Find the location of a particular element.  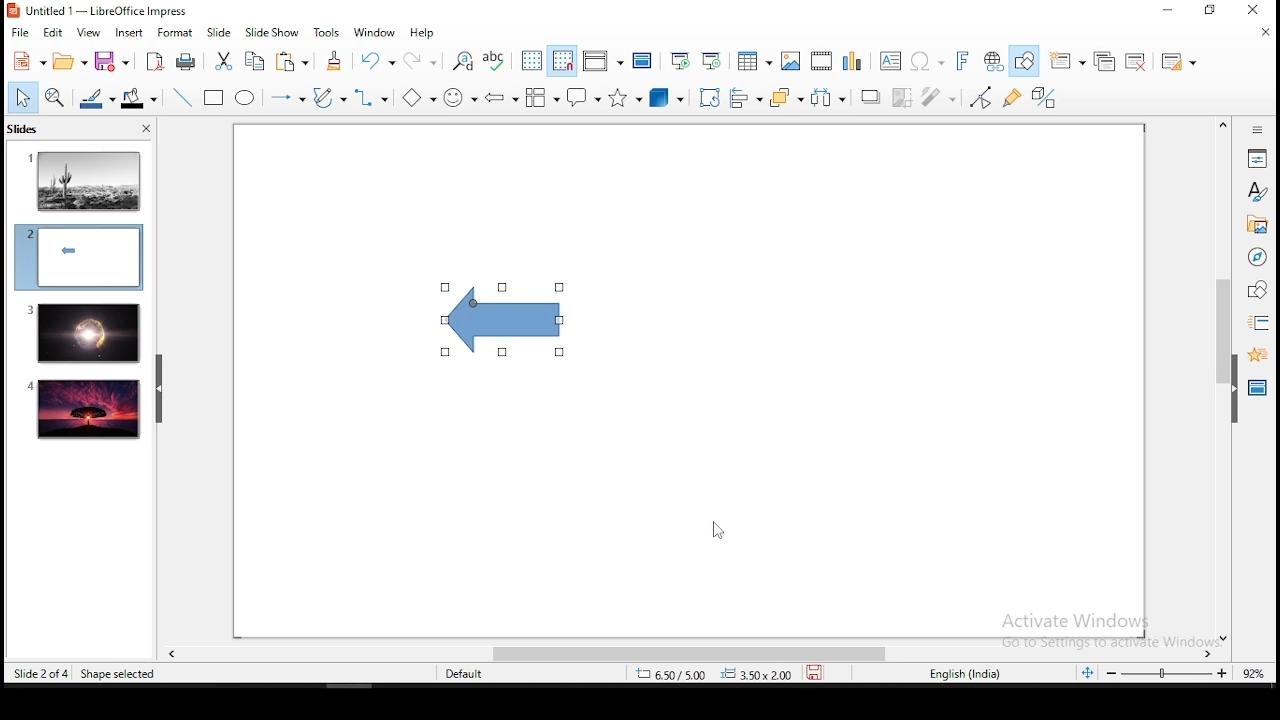

8.60/-0.26 is located at coordinates (673, 676).